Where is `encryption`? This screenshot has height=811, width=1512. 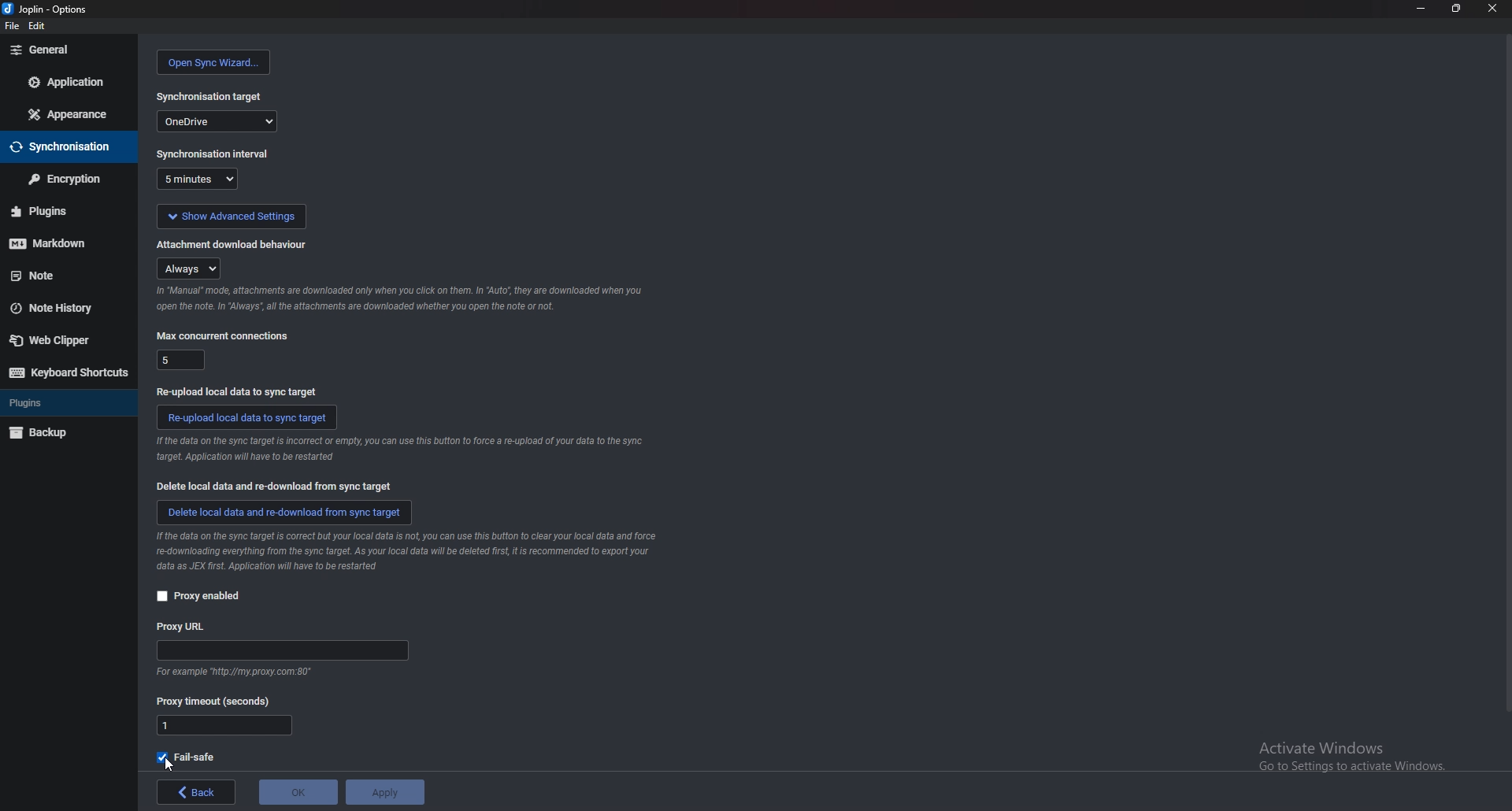 encryption is located at coordinates (66, 178).